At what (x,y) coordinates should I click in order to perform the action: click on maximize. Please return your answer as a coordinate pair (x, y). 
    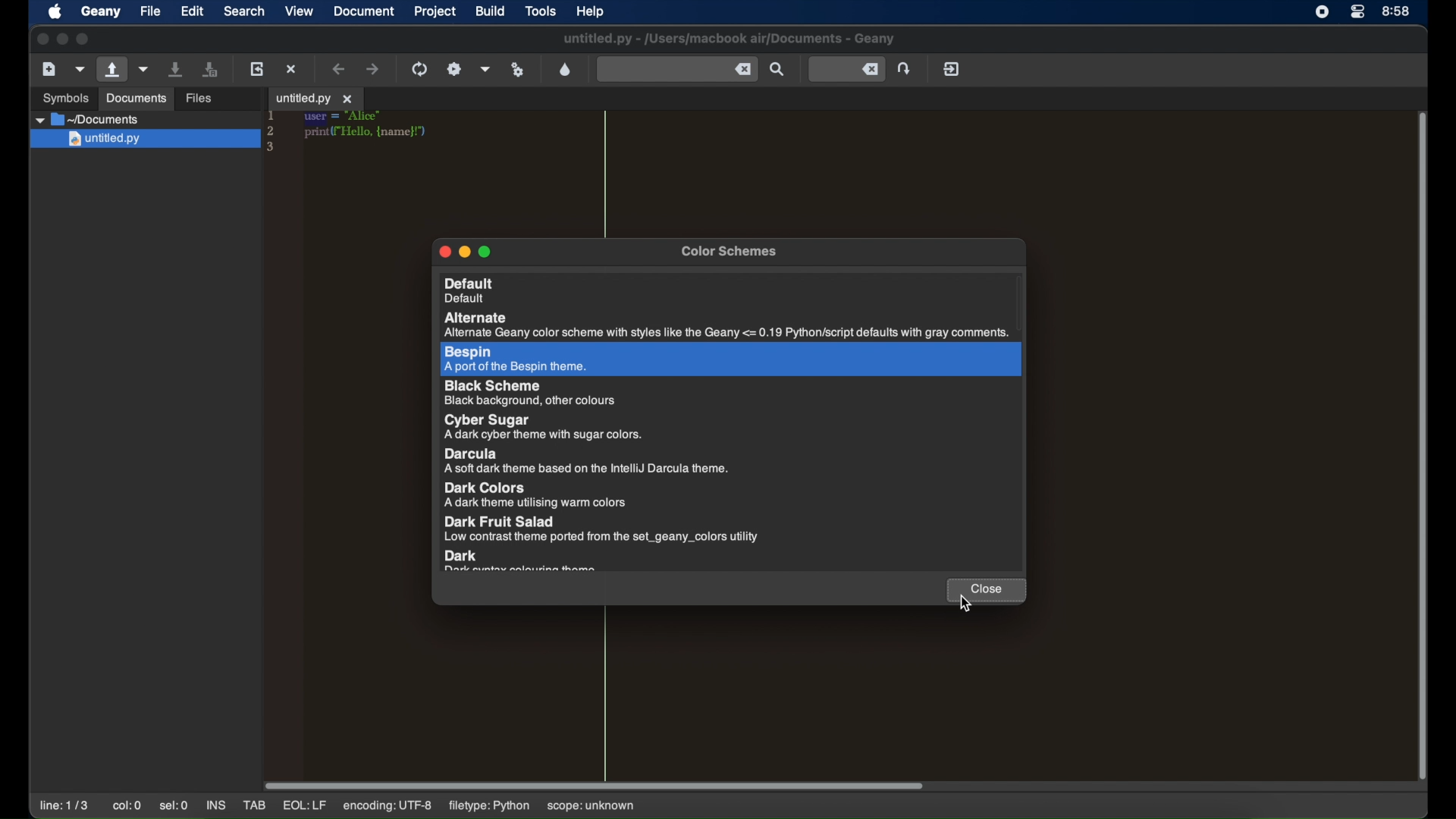
    Looking at the image, I should click on (486, 252).